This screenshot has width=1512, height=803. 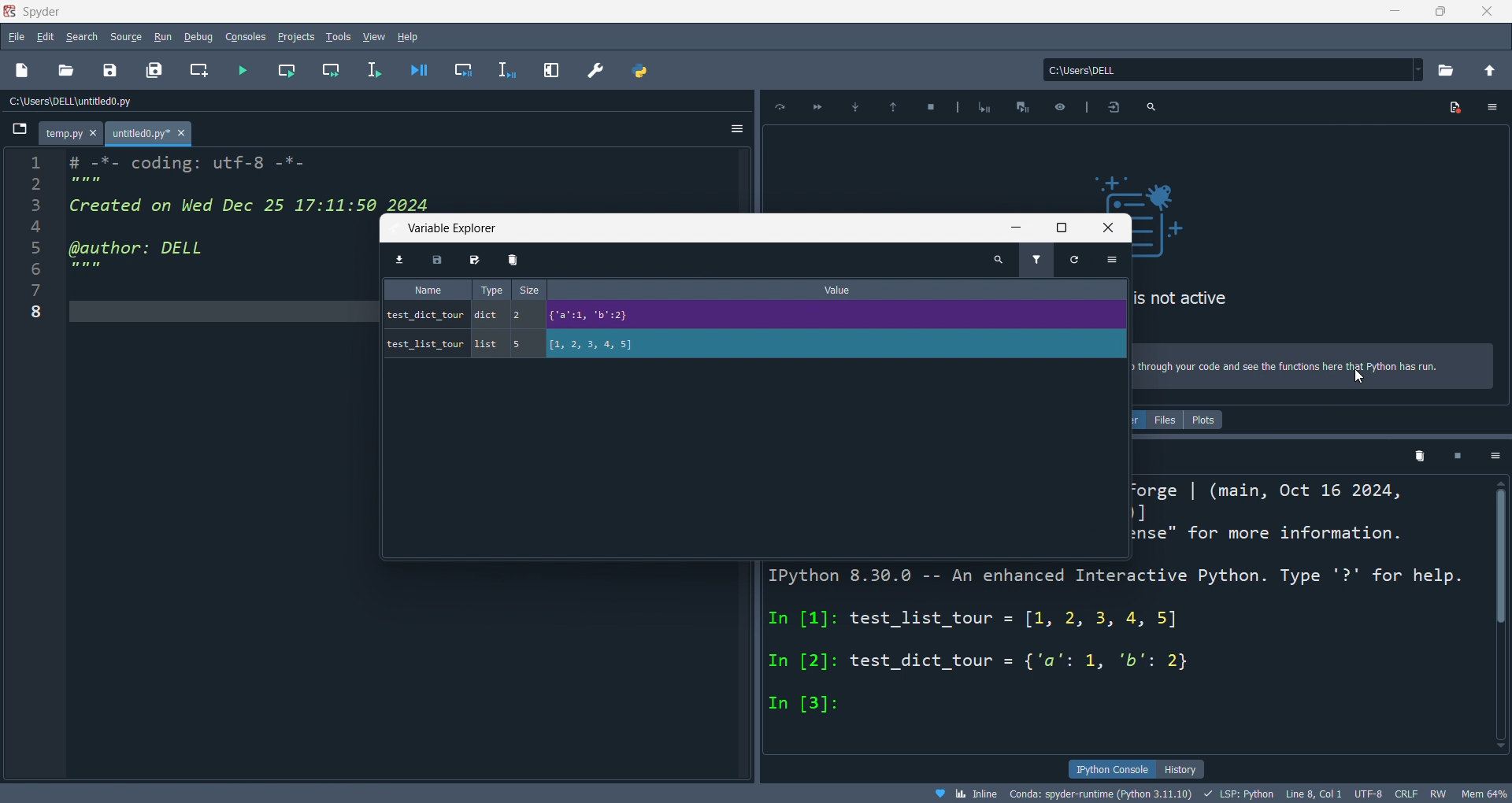 I want to click on temp.py, so click(x=69, y=134).